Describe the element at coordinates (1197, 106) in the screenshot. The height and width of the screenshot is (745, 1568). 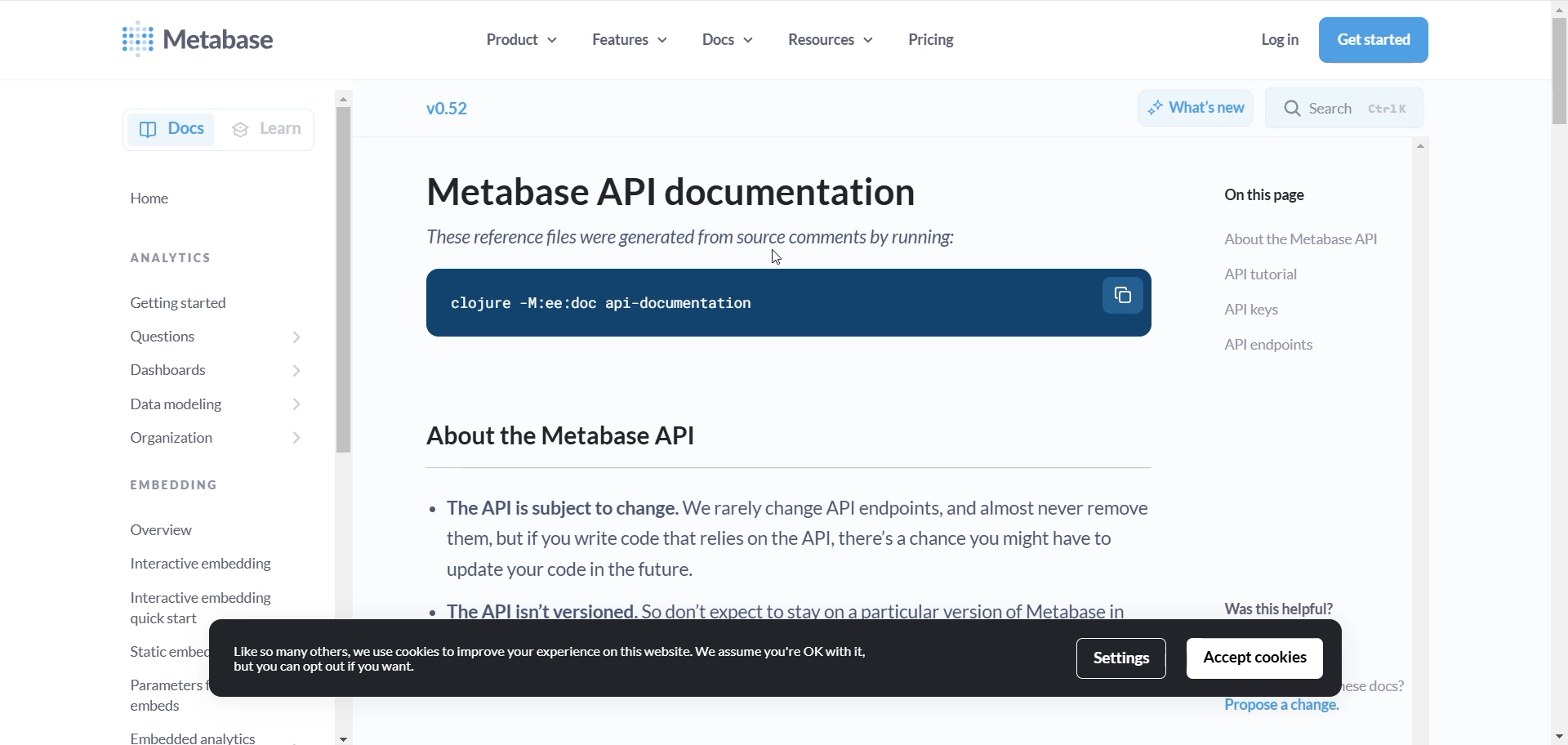
I see `what new button` at that location.